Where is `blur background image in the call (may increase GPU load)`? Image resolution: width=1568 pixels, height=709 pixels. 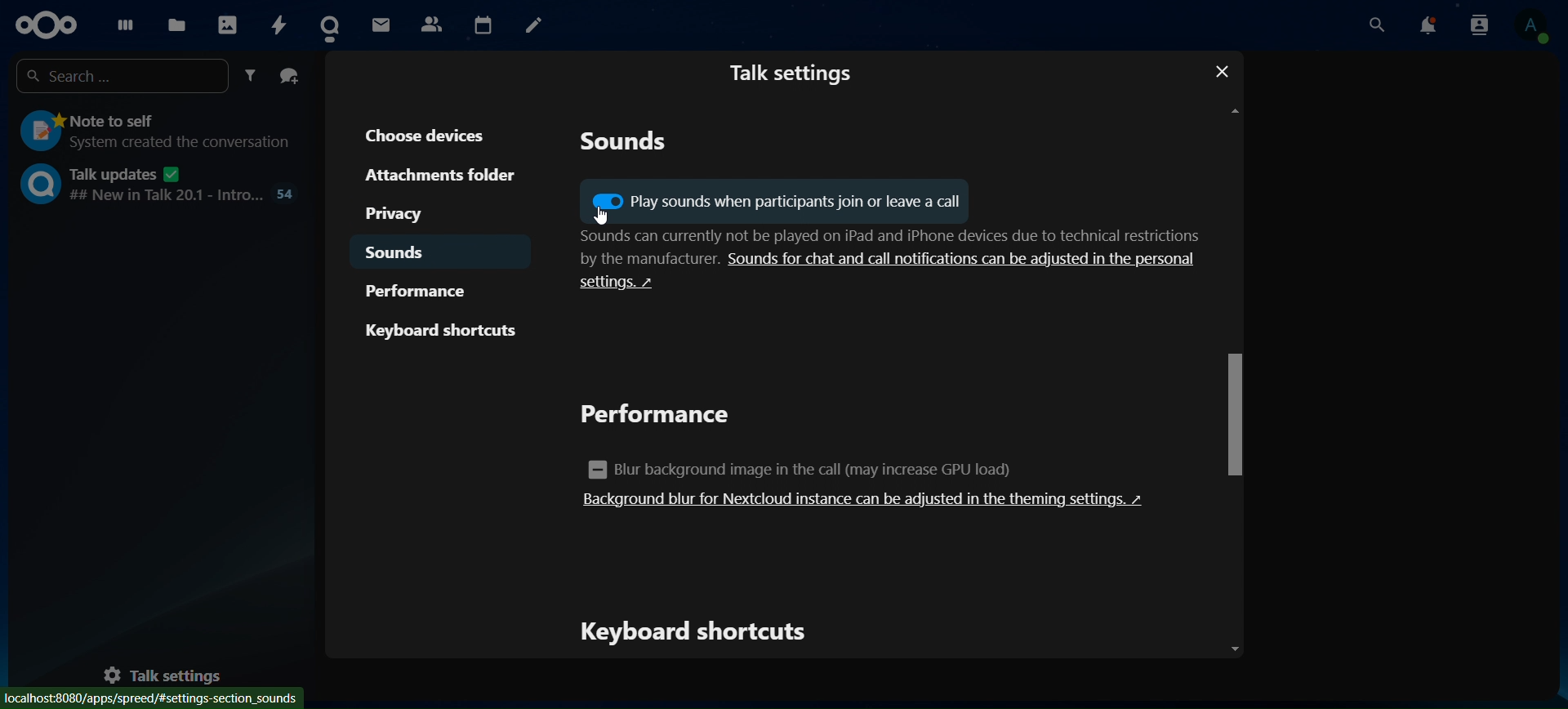 blur background image in the call (may increase GPU load) is located at coordinates (812, 469).